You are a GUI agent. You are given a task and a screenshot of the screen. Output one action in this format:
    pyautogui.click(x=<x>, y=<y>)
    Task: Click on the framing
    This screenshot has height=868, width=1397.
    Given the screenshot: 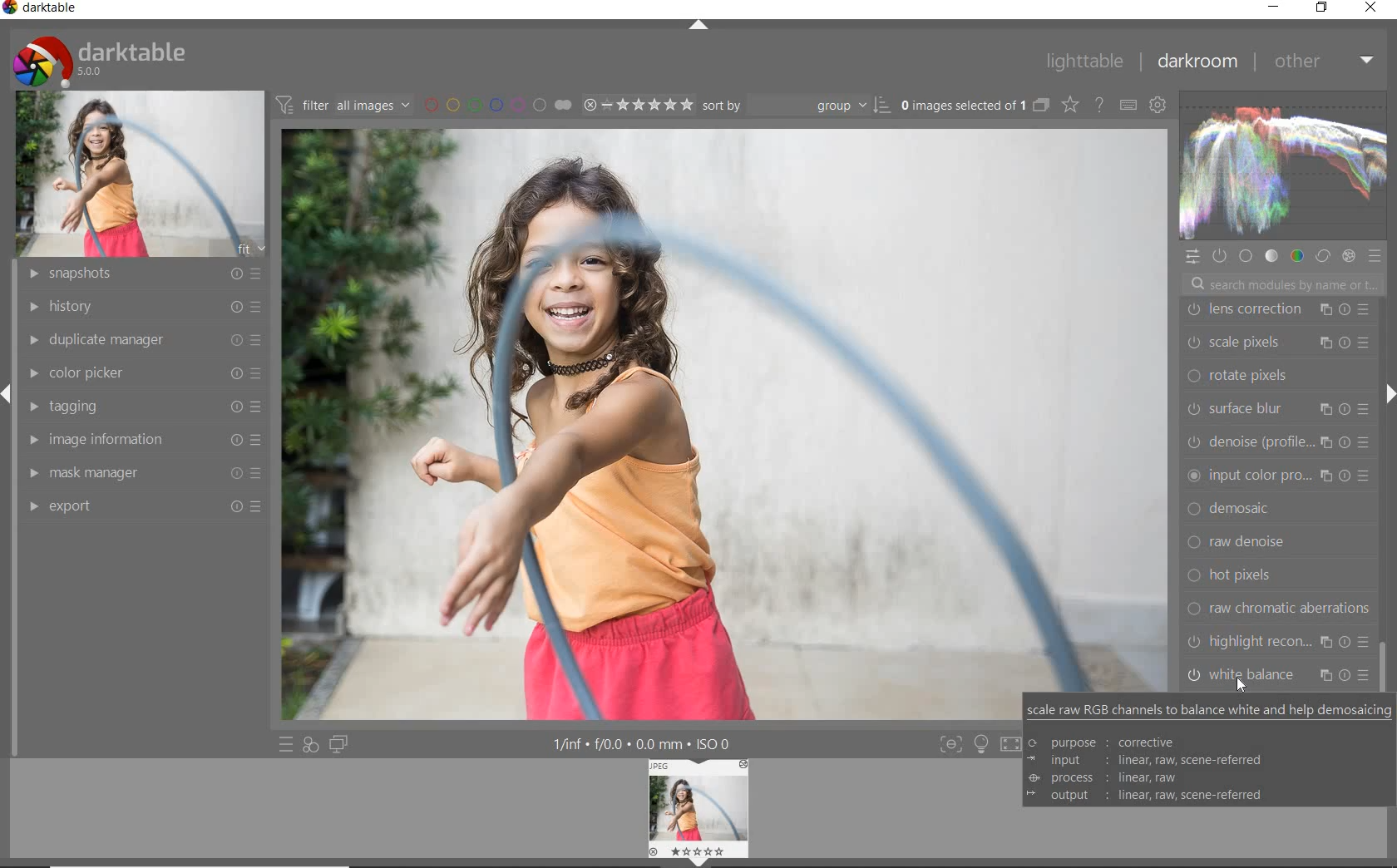 What is the action you would take?
    pyautogui.click(x=1277, y=343)
    